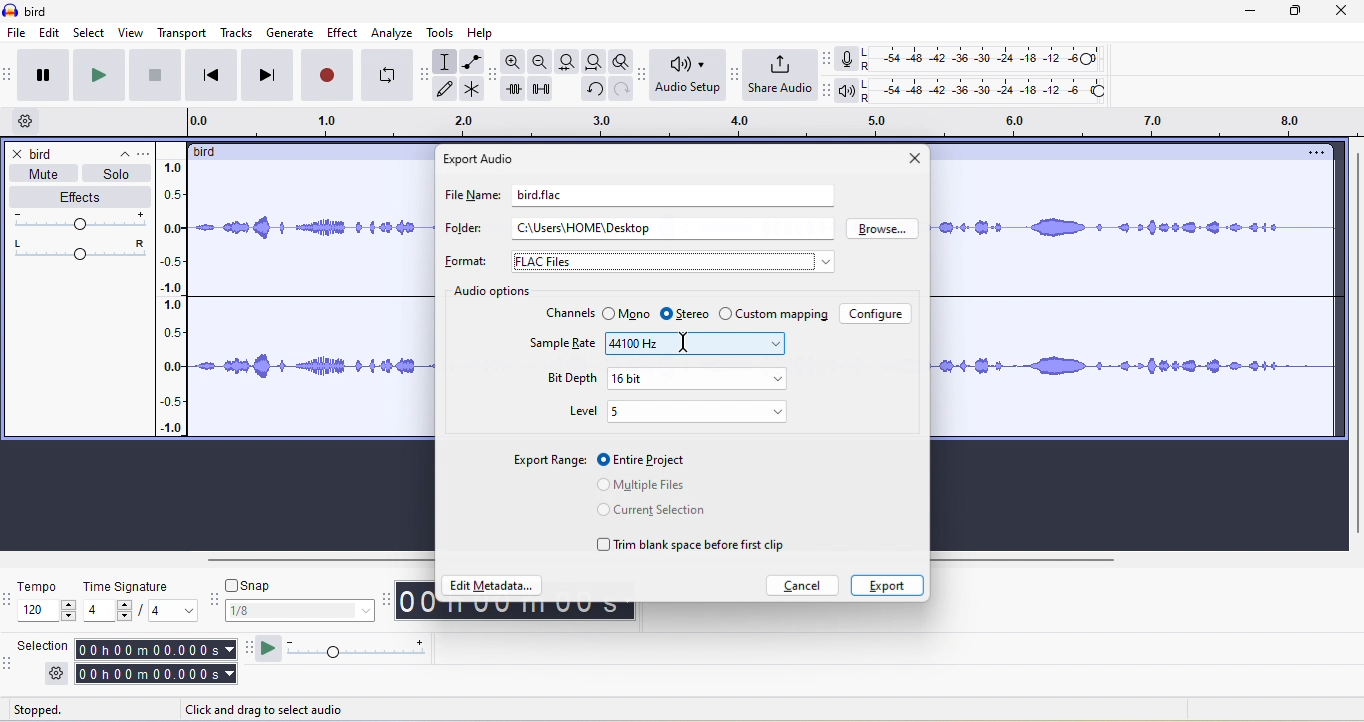 The height and width of the screenshot is (722, 1364). Describe the element at coordinates (301, 612) in the screenshot. I see `snap` at that location.